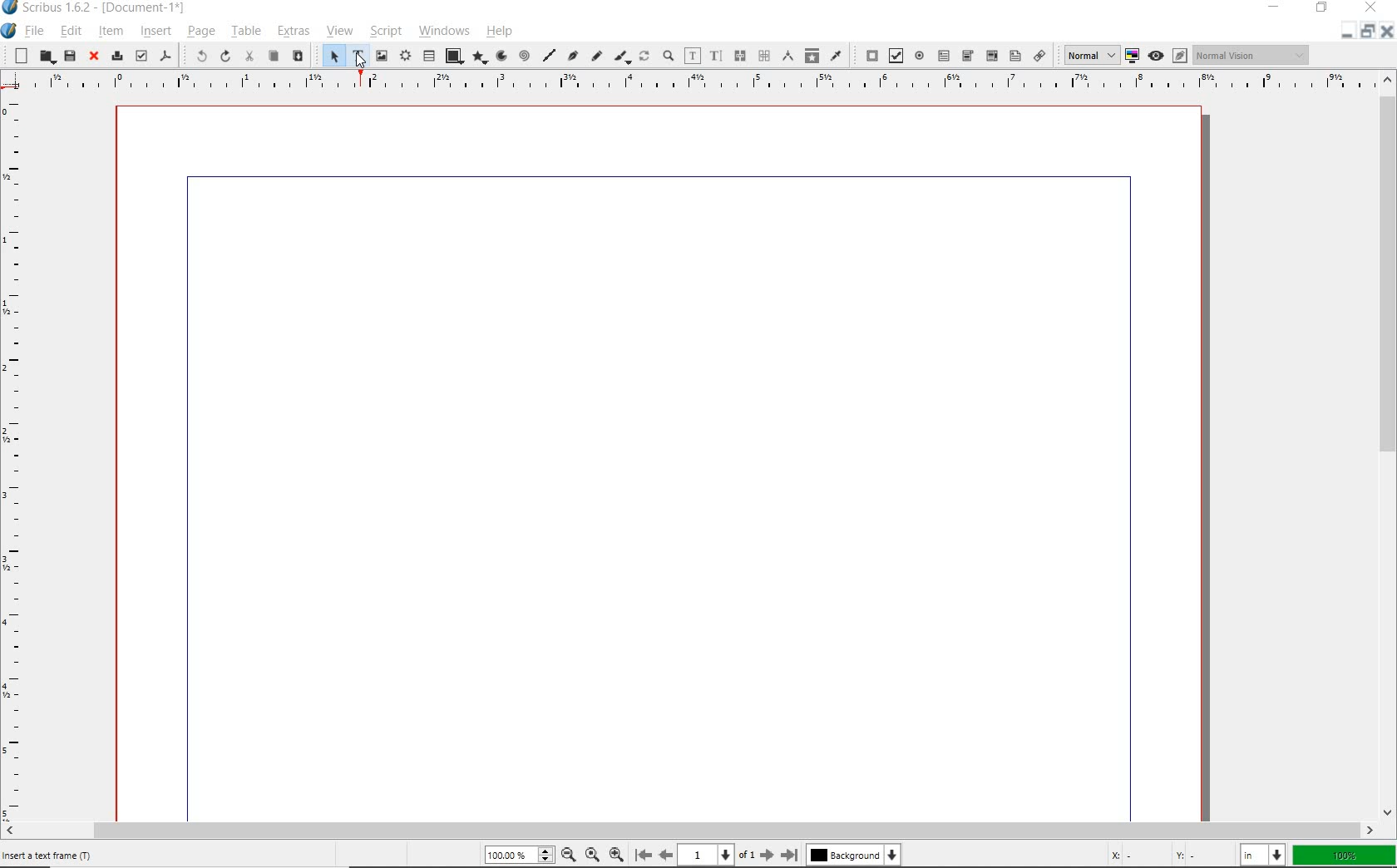 The width and height of the screenshot is (1397, 868). Describe the element at coordinates (342, 32) in the screenshot. I see `view` at that location.